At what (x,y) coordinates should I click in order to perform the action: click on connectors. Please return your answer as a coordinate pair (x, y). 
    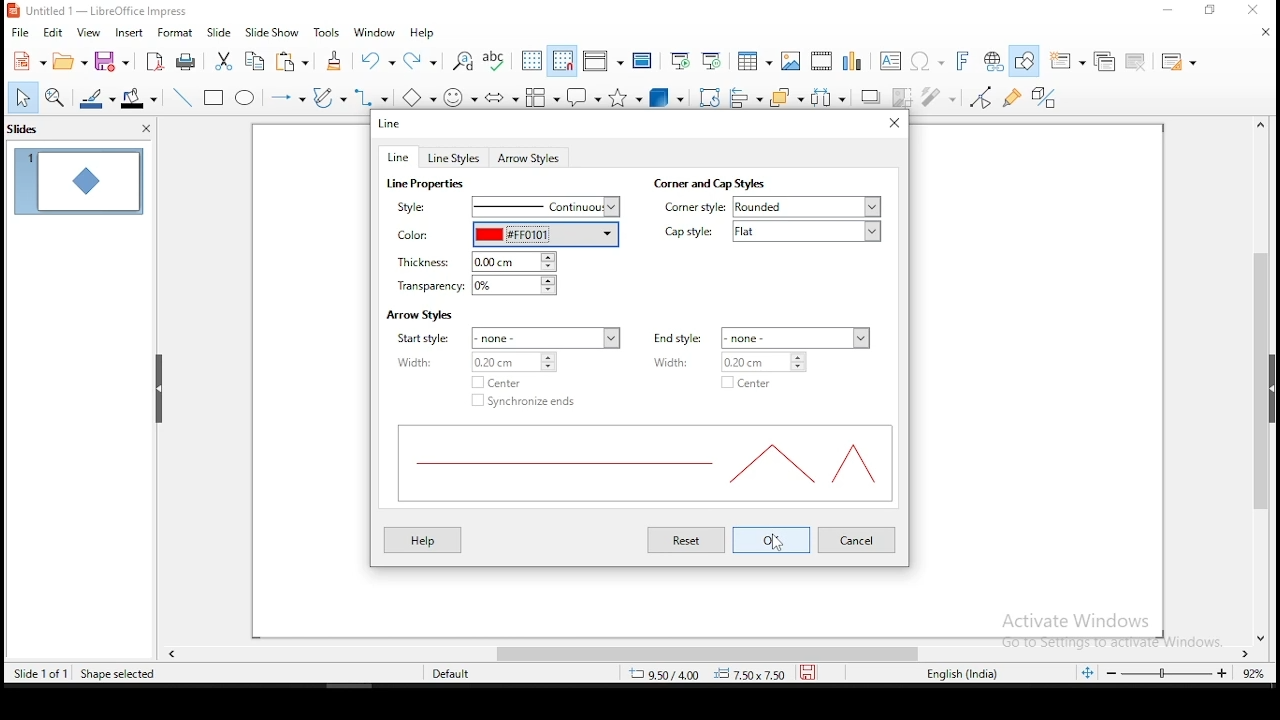
    Looking at the image, I should click on (373, 99).